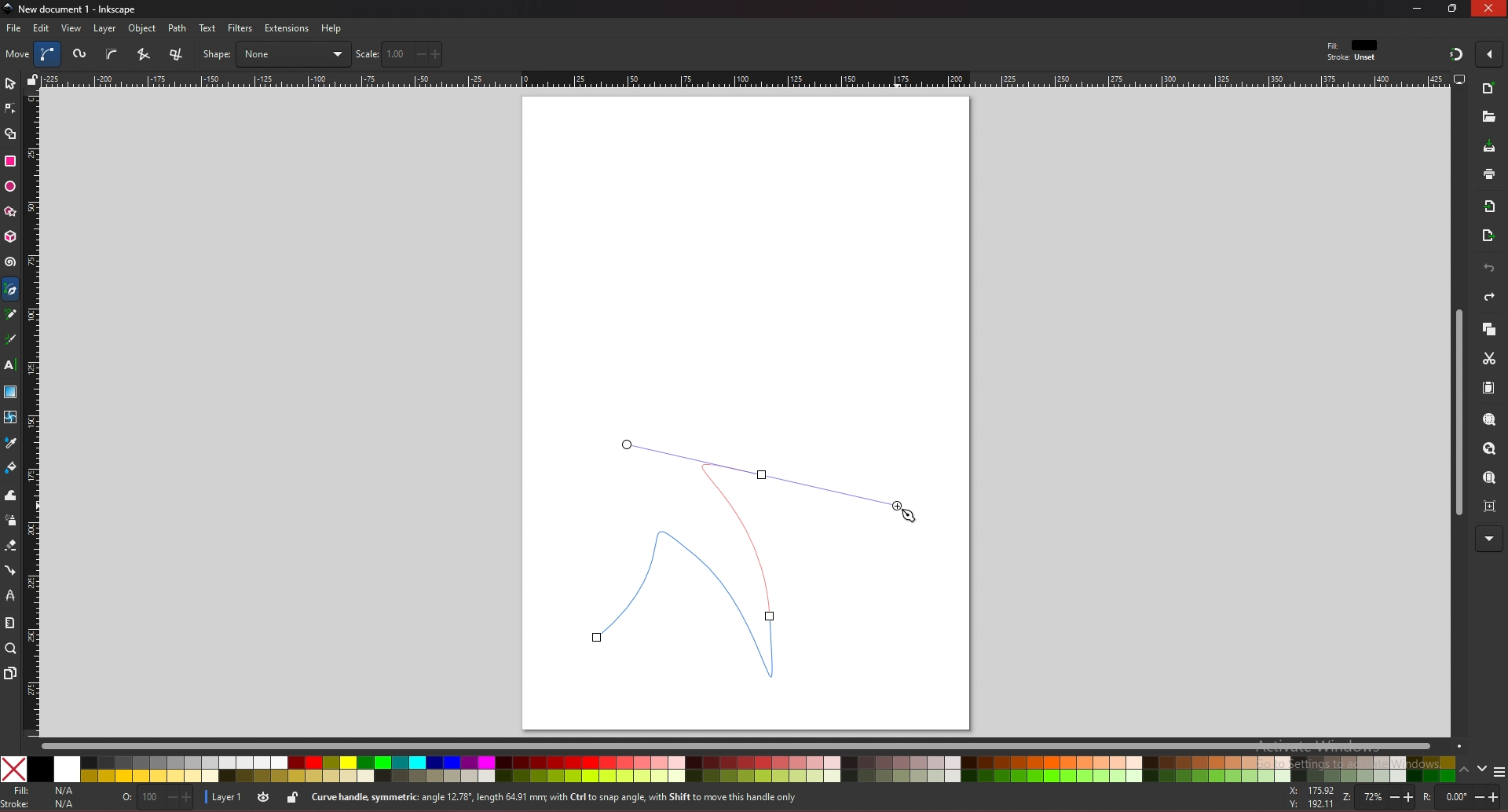 The height and width of the screenshot is (812, 1508). What do you see at coordinates (399, 53) in the screenshot?
I see `scale` at bounding box center [399, 53].